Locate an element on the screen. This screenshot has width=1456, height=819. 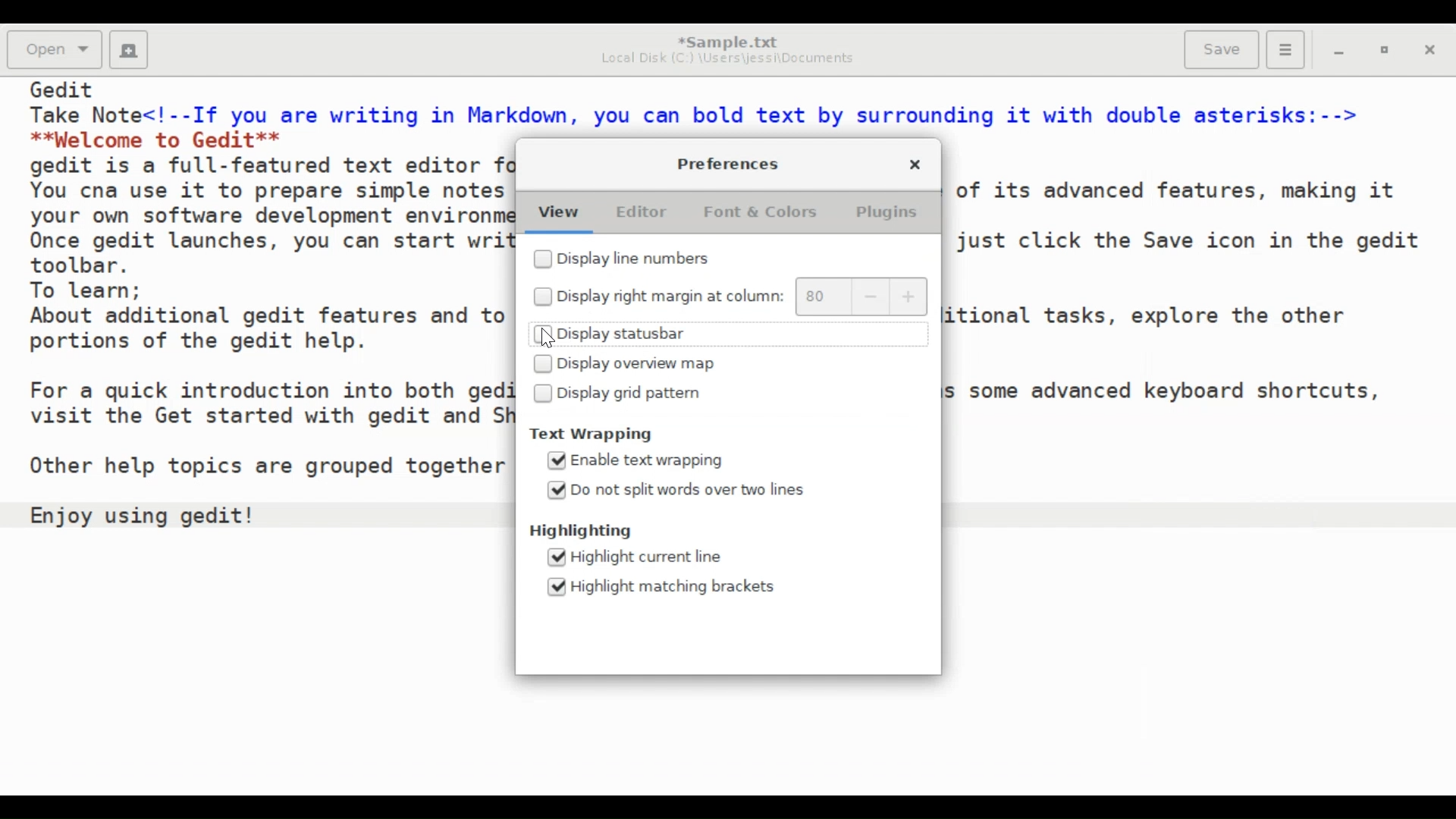
(un)select Display statusbar is located at coordinates (613, 334).